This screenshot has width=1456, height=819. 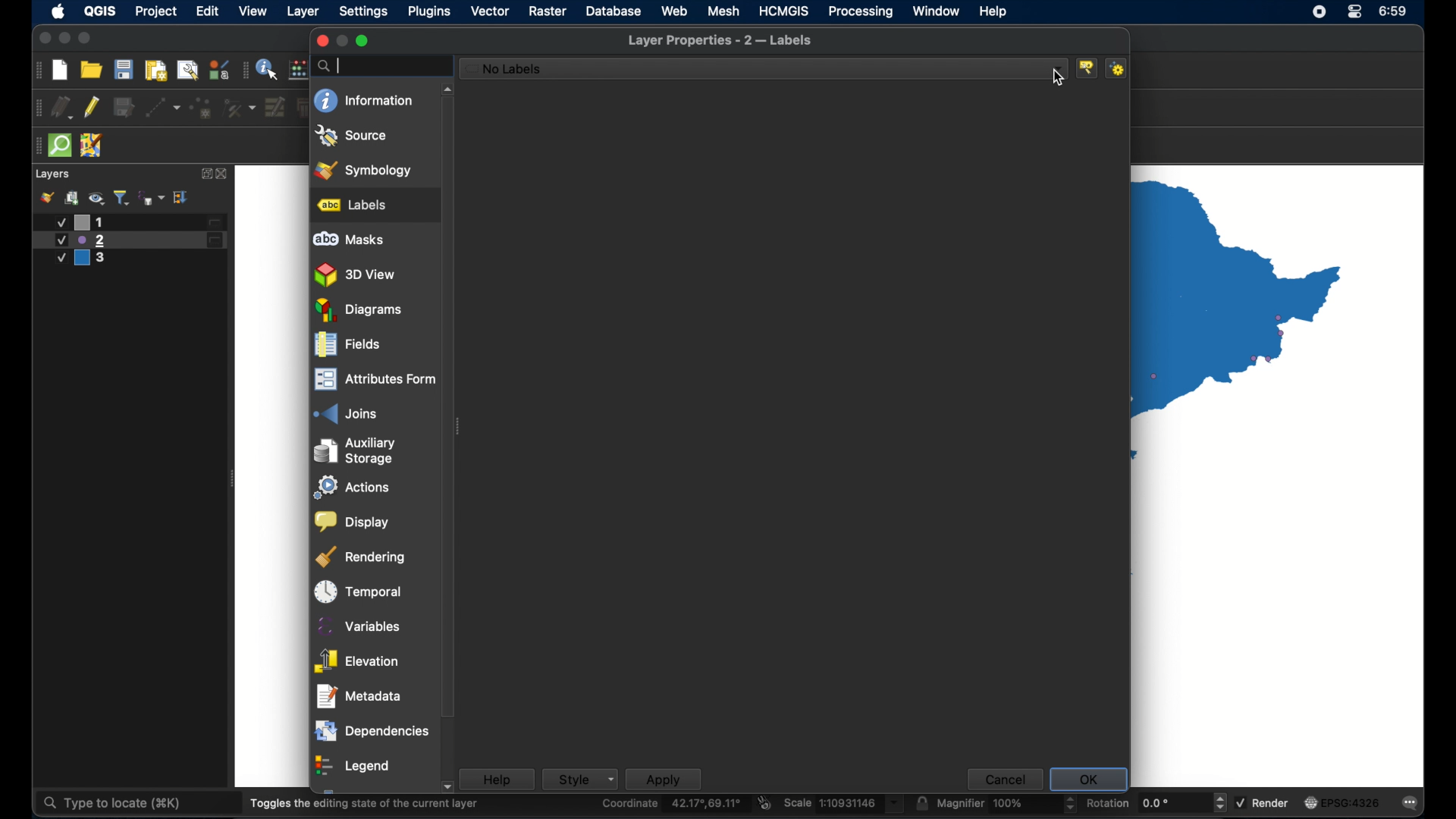 I want to click on maximize , so click(x=86, y=39).